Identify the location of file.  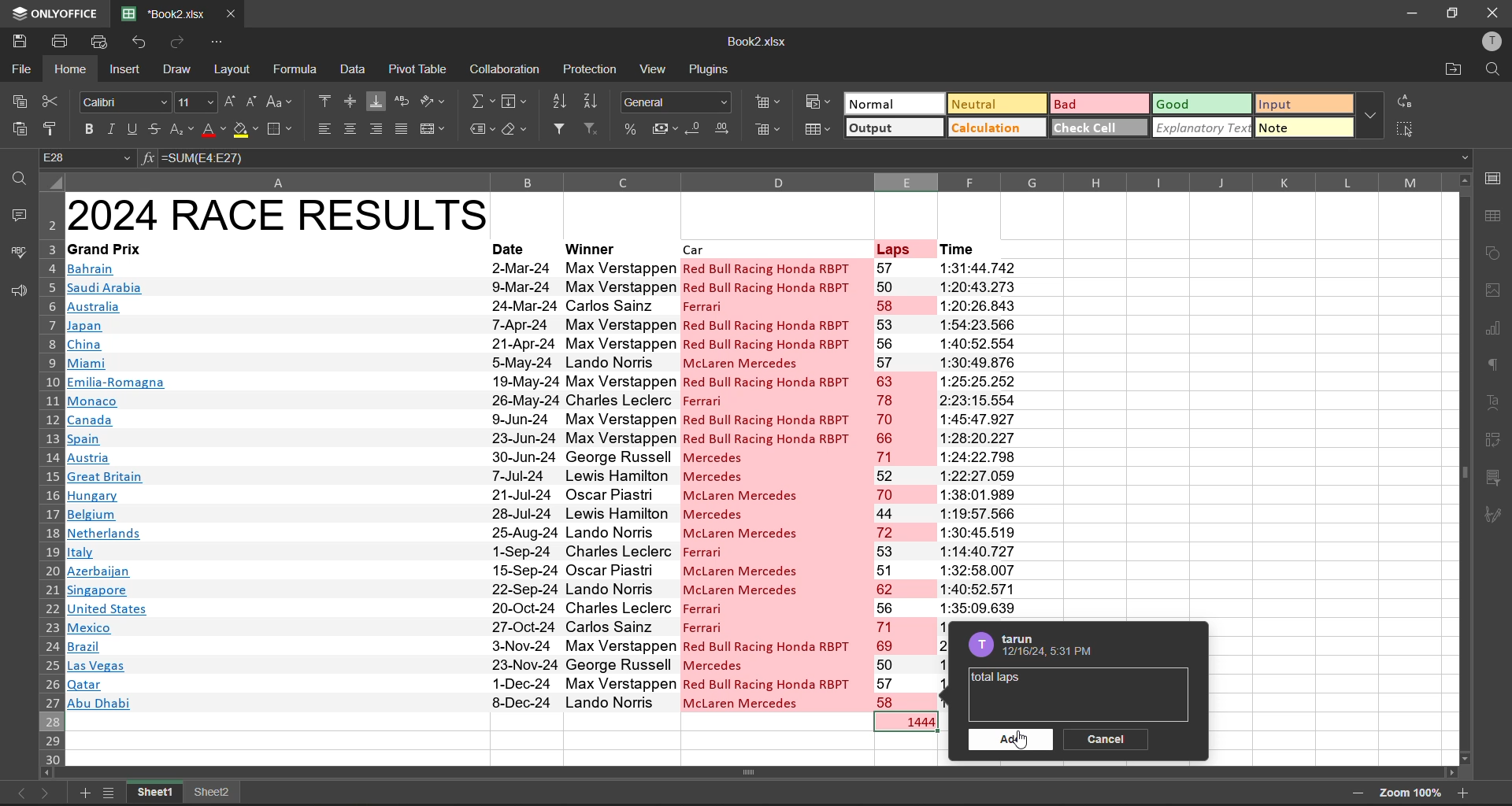
(19, 68).